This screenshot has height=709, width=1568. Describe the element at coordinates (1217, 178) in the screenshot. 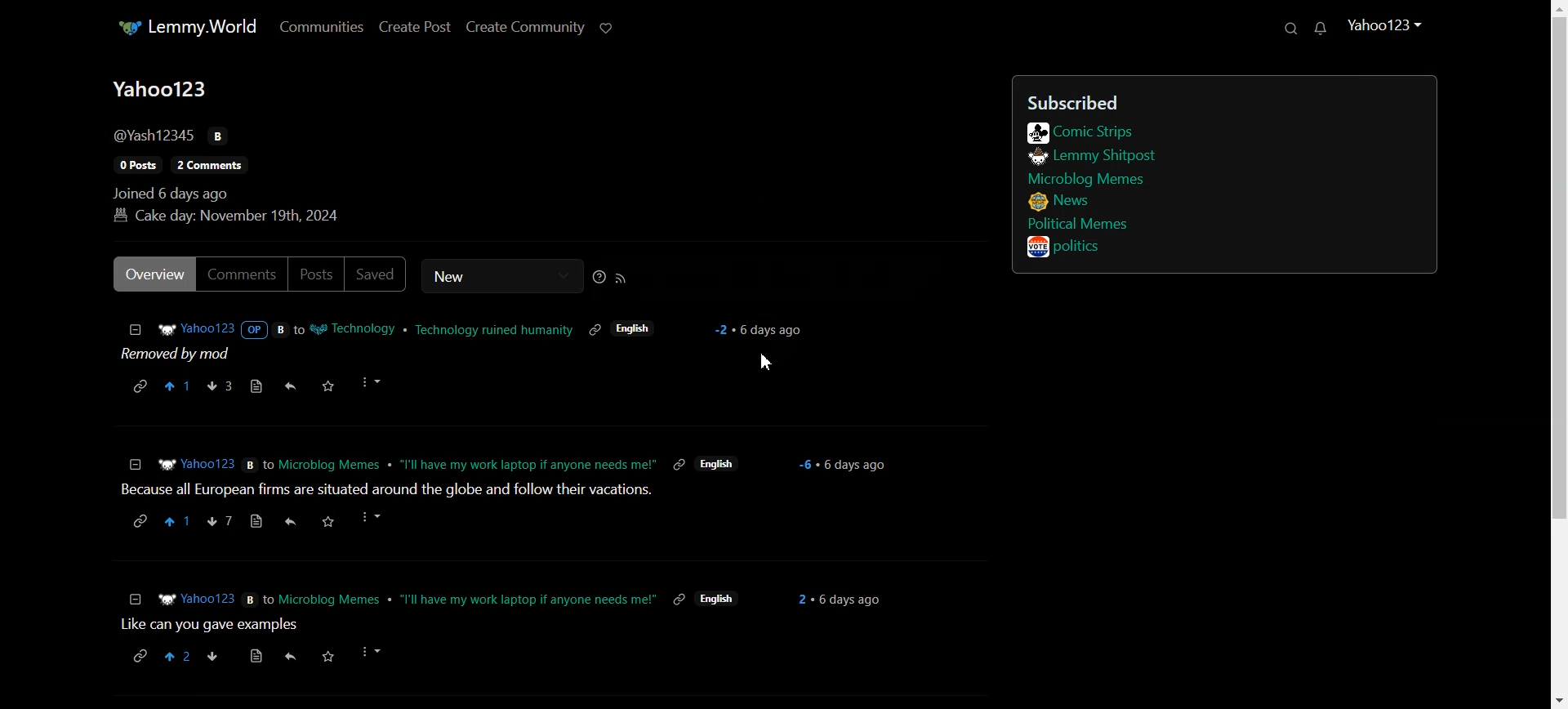

I see `Hyperlink` at that location.